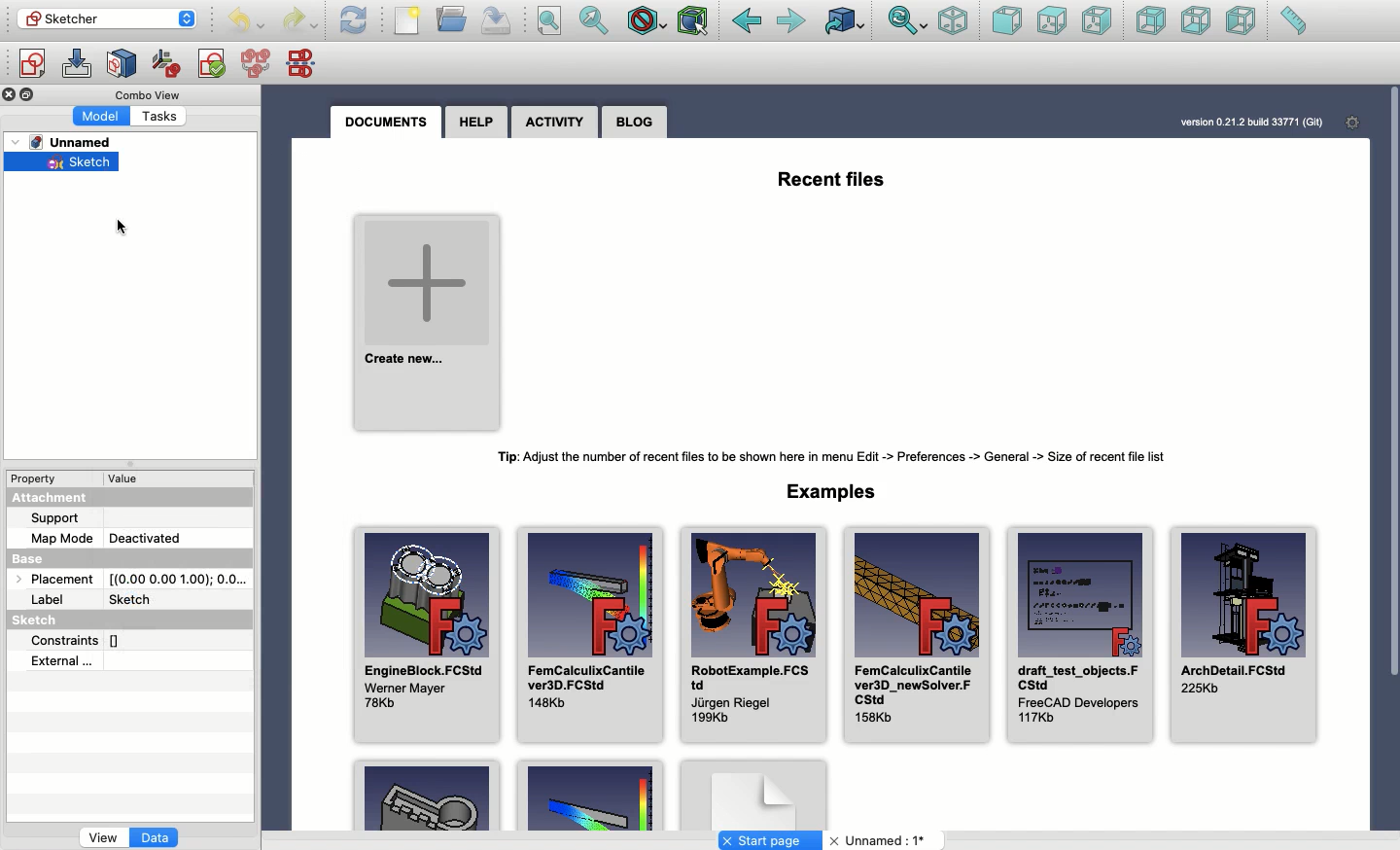 The width and height of the screenshot is (1400, 850). Describe the element at coordinates (793, 22) in the screenshot. I see `Forward` at that location.